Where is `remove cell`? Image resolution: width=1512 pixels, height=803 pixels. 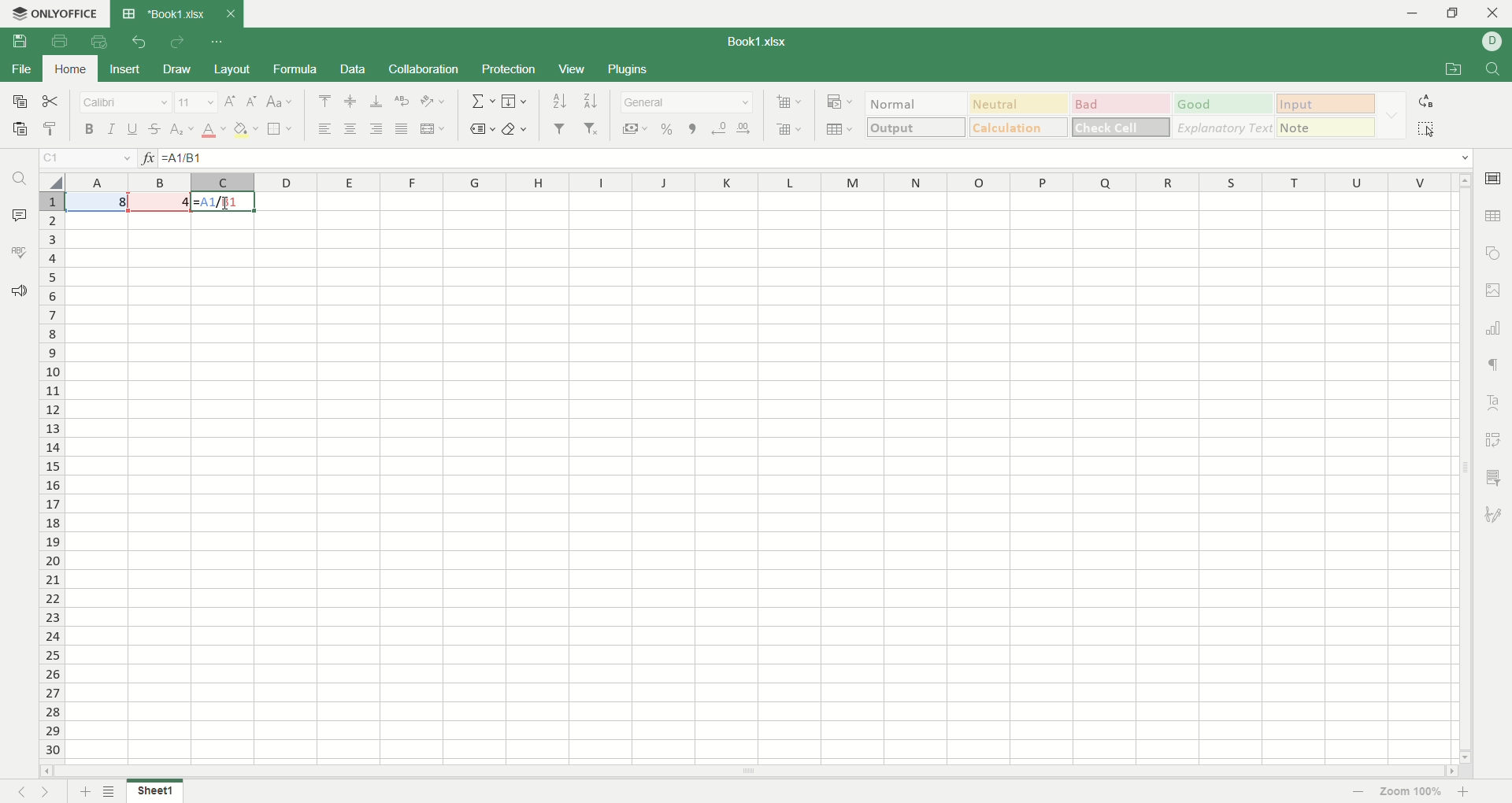
remove cell is located at coordinates (790, 129).